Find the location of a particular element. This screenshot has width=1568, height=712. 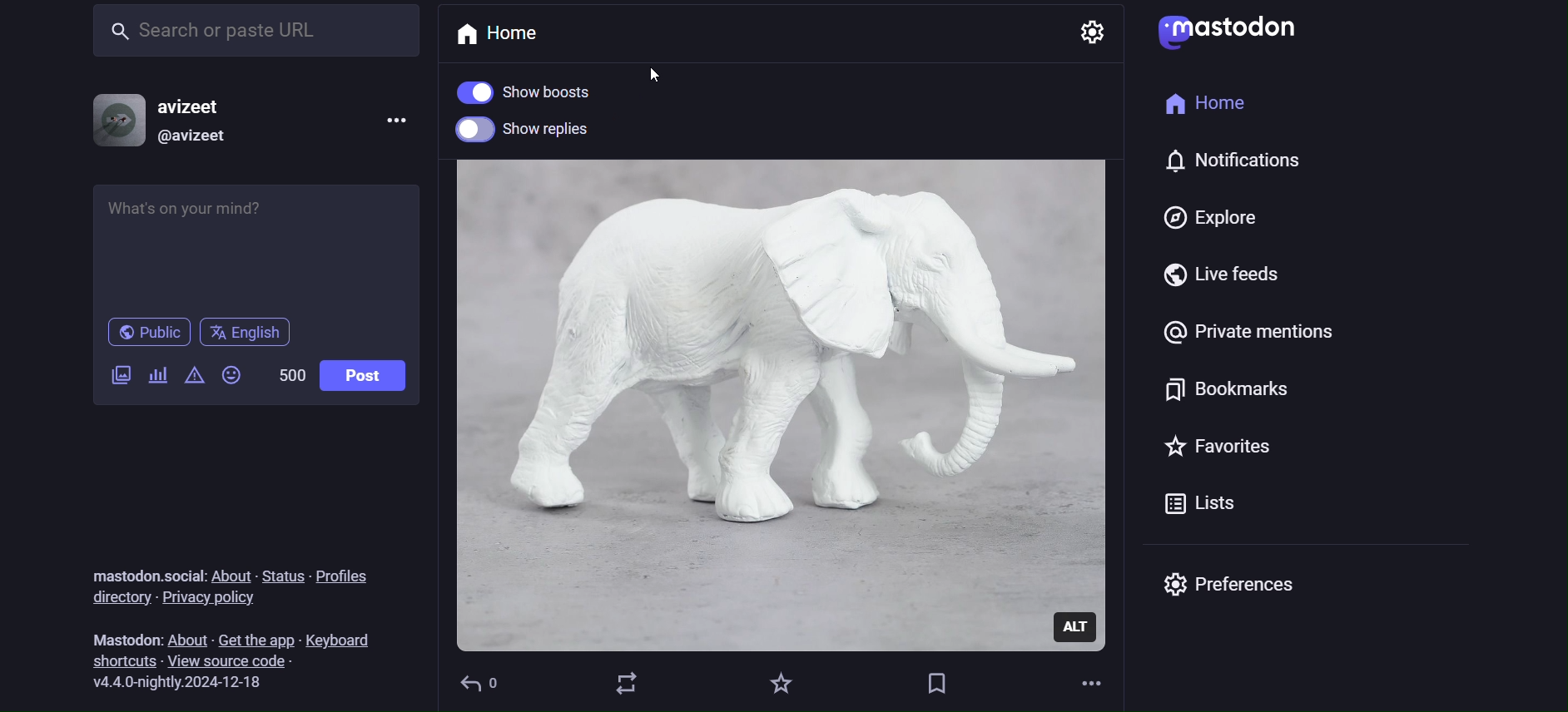

logo is located at coordinates (1229, 33).